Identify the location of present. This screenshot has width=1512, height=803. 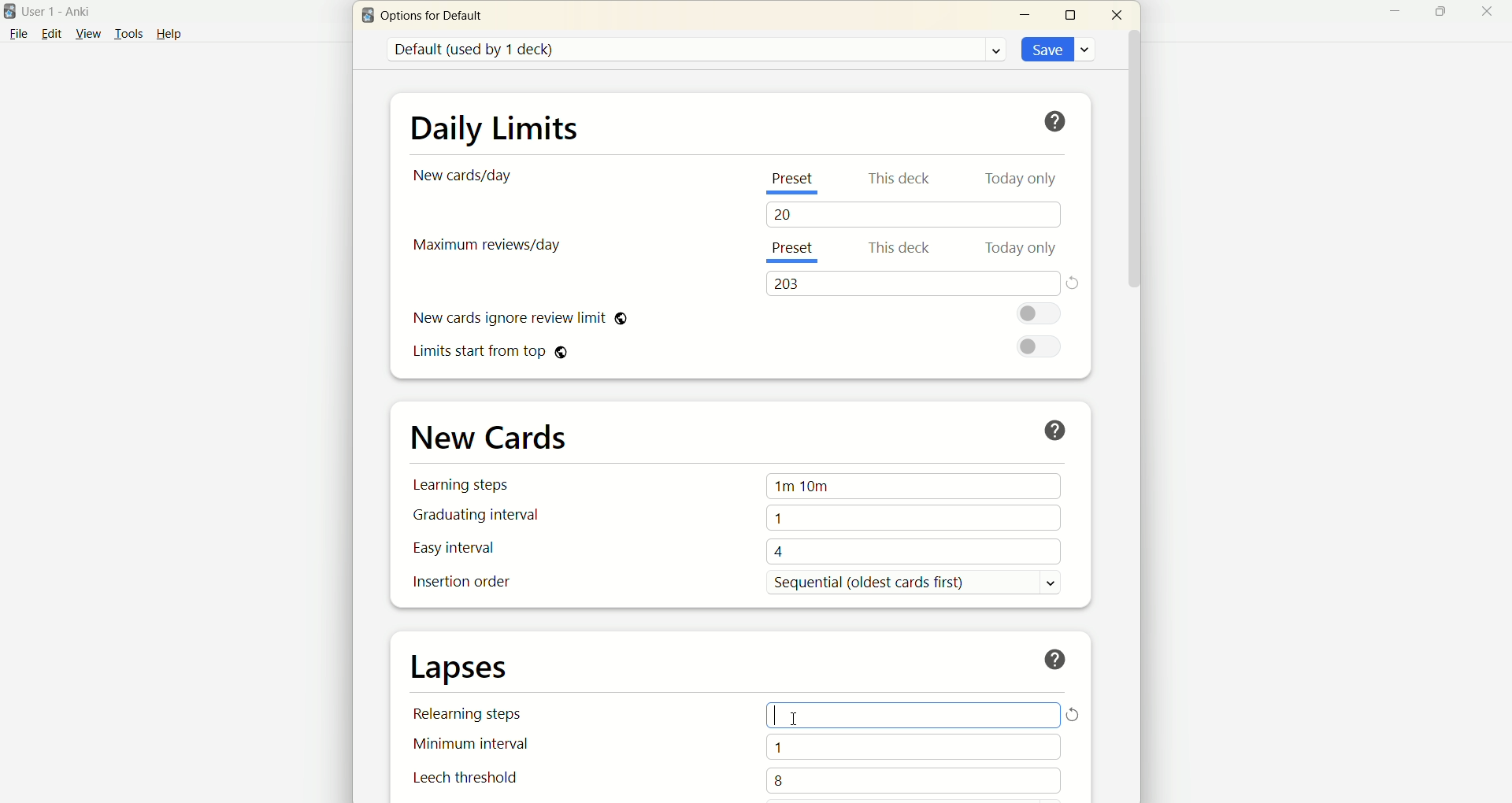
(798, 251).